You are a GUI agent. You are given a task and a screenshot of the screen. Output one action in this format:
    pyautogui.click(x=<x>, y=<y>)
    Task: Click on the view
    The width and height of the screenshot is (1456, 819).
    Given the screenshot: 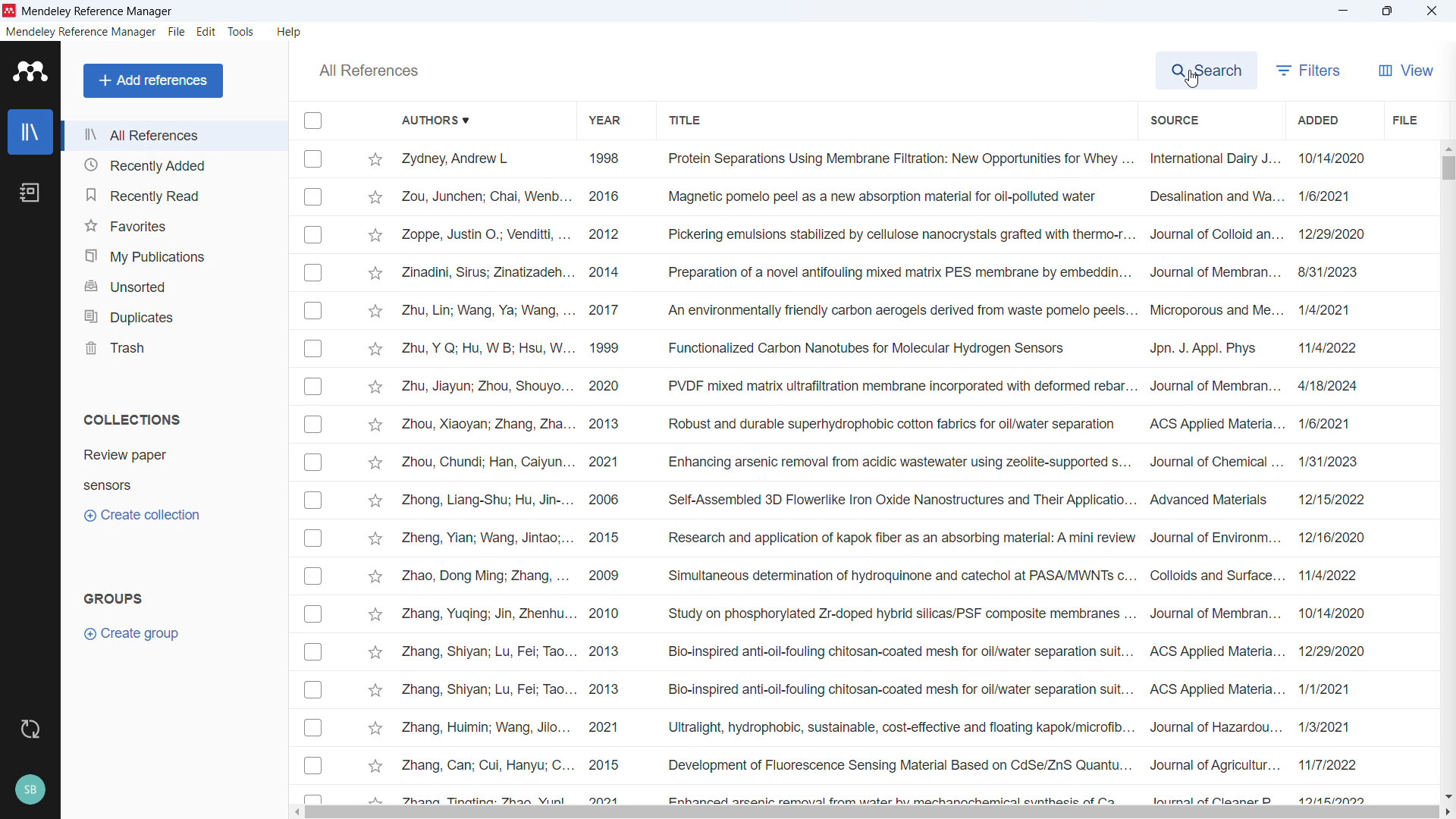 What is the action you would take?
    pyautogui.click(x=1404, y=71)
    